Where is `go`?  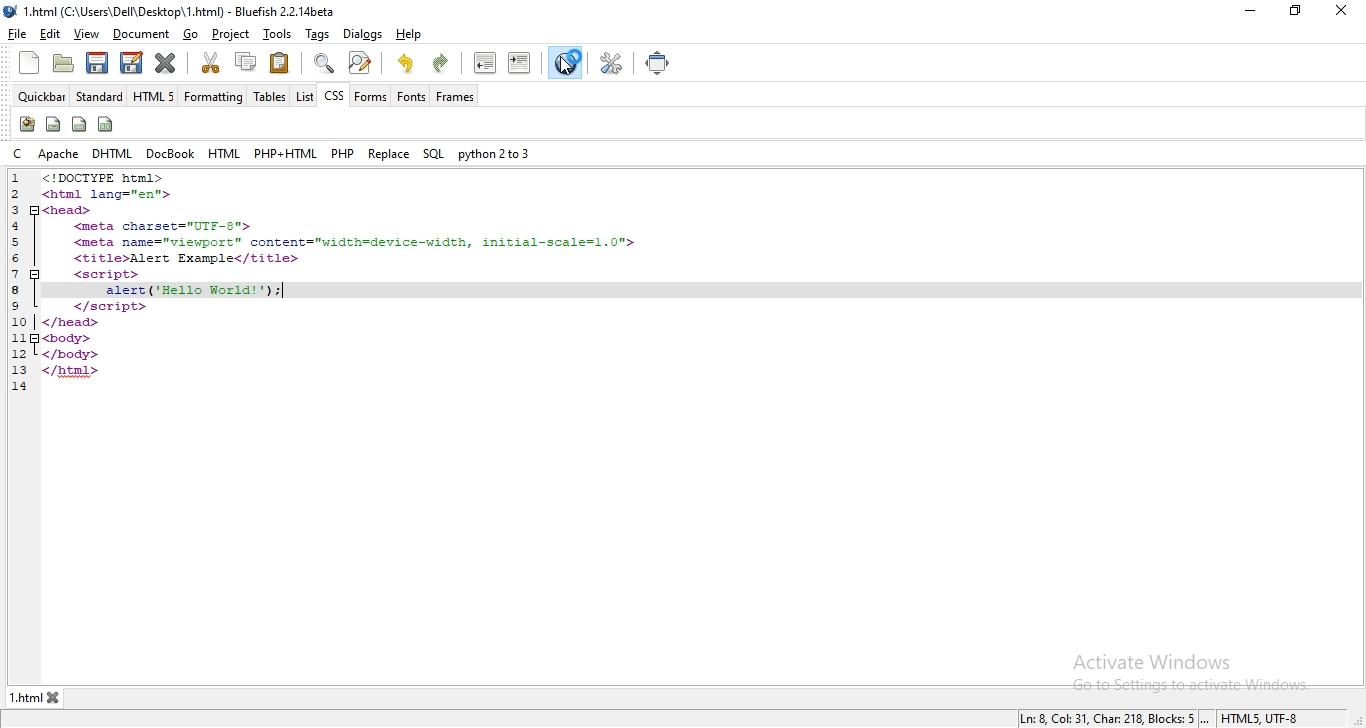 go is located at coordinates (191, 35).